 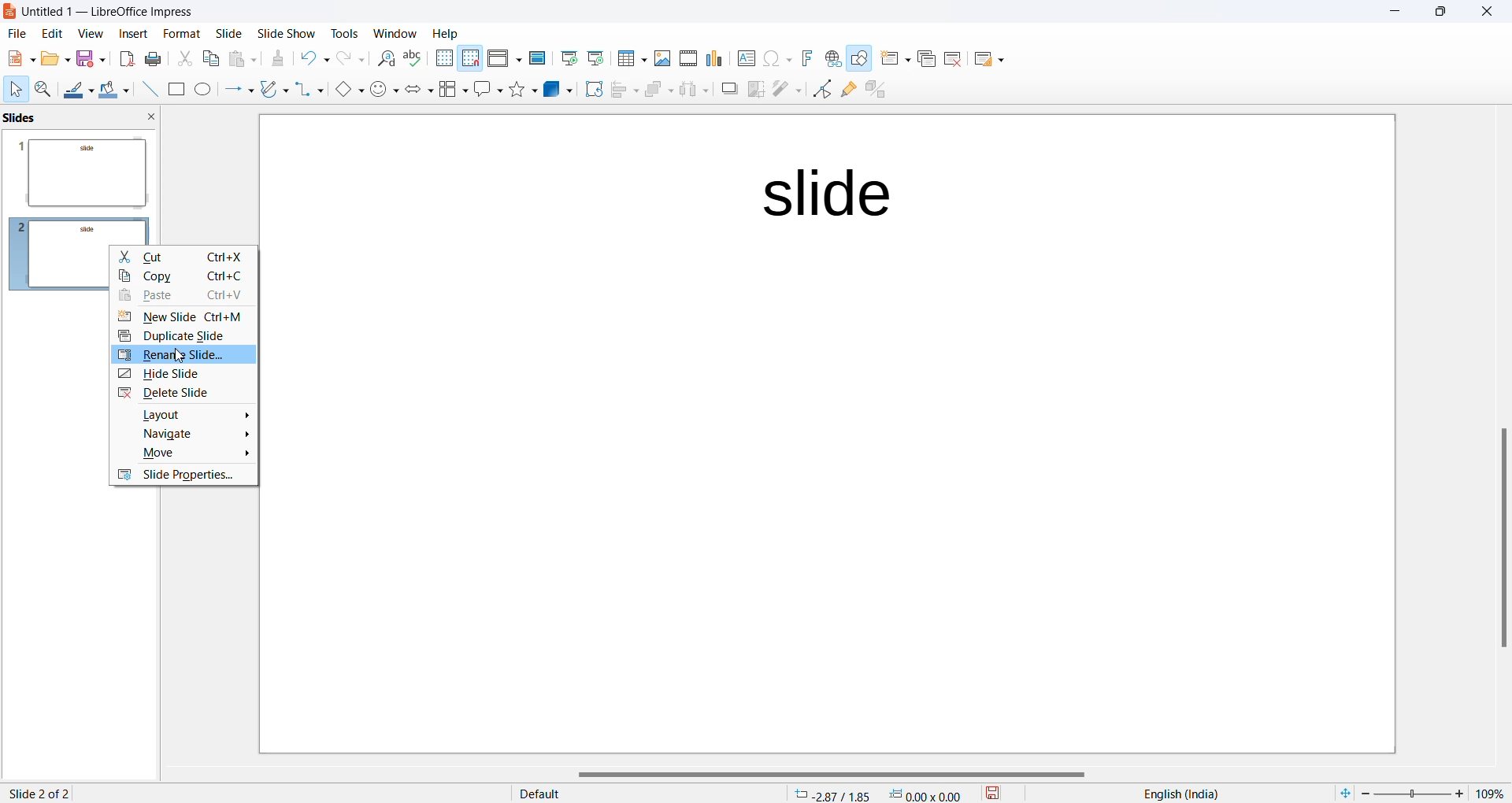 I want to click on slide preview, so click(x=83, y=170).